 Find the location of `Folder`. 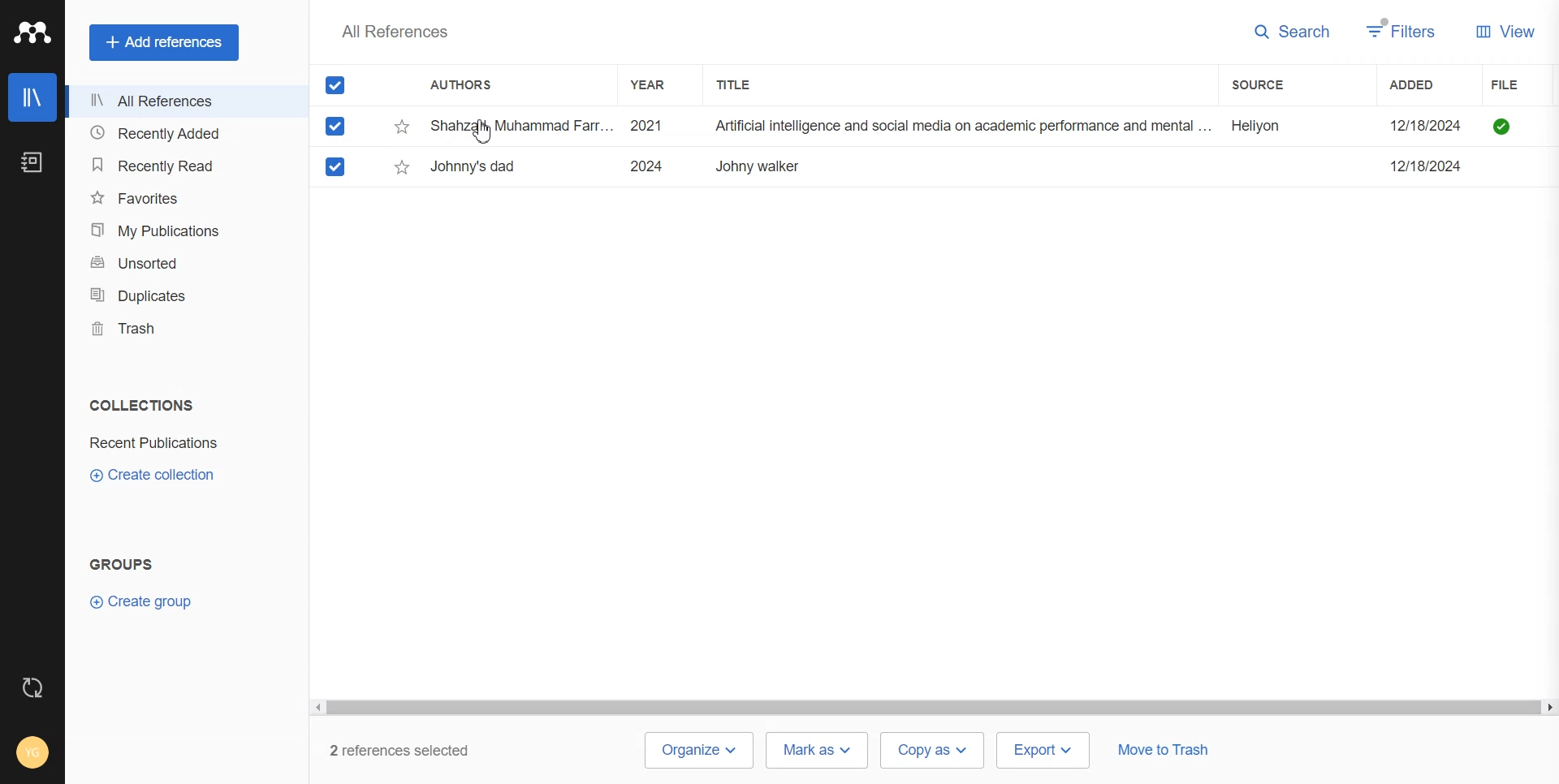

Folder is located at coordinates (157, 443).